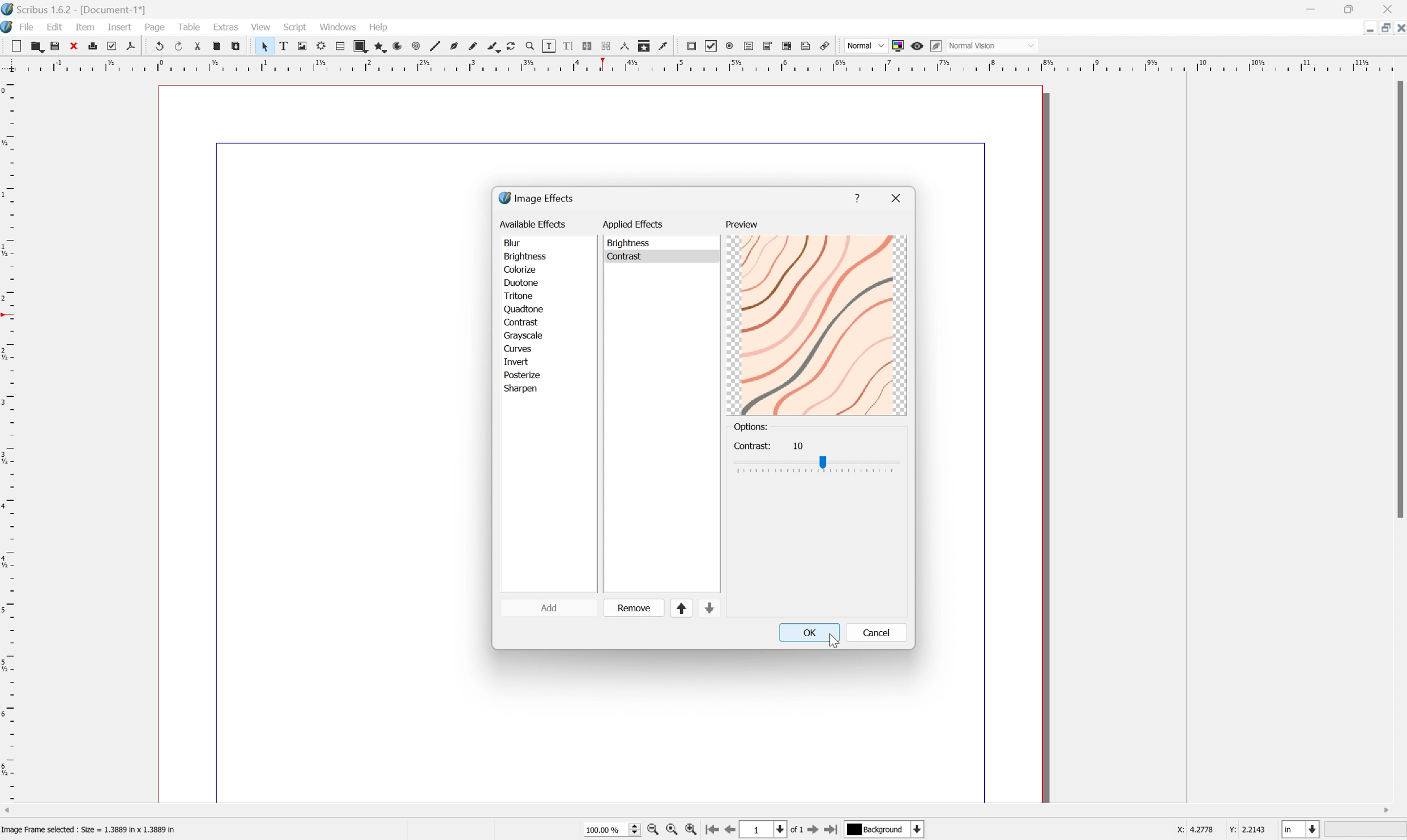 The height and width of the screenshot is (840, 1407). Describe the element at coordinates (818, 466) in the screenshot. I see `Contrast Slider` at that location.